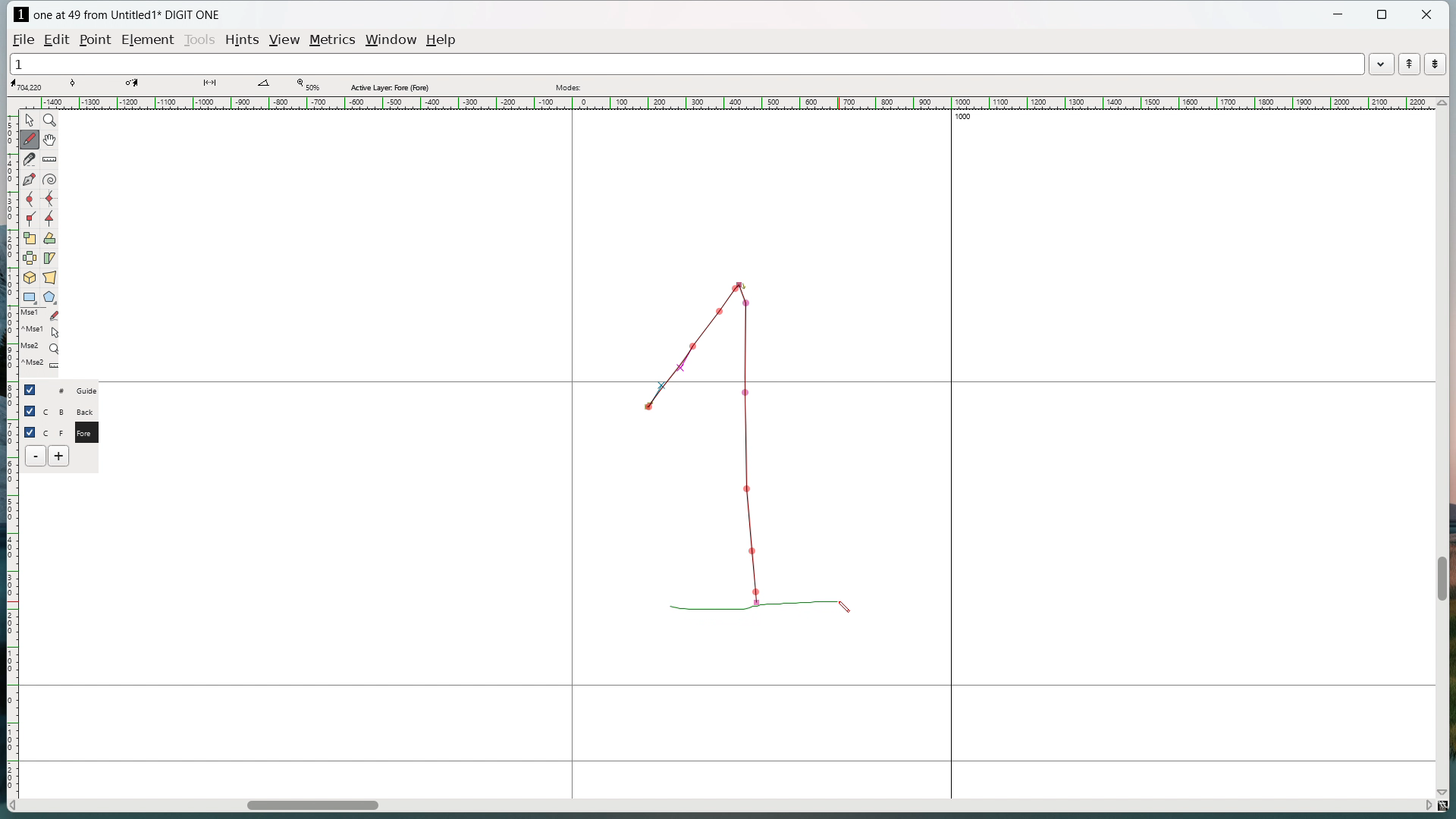 The width and height of the screenshot is (1456, 819). Describe the element at coordinates (89, 84) in the screenshot. I see `tangent` at that location.